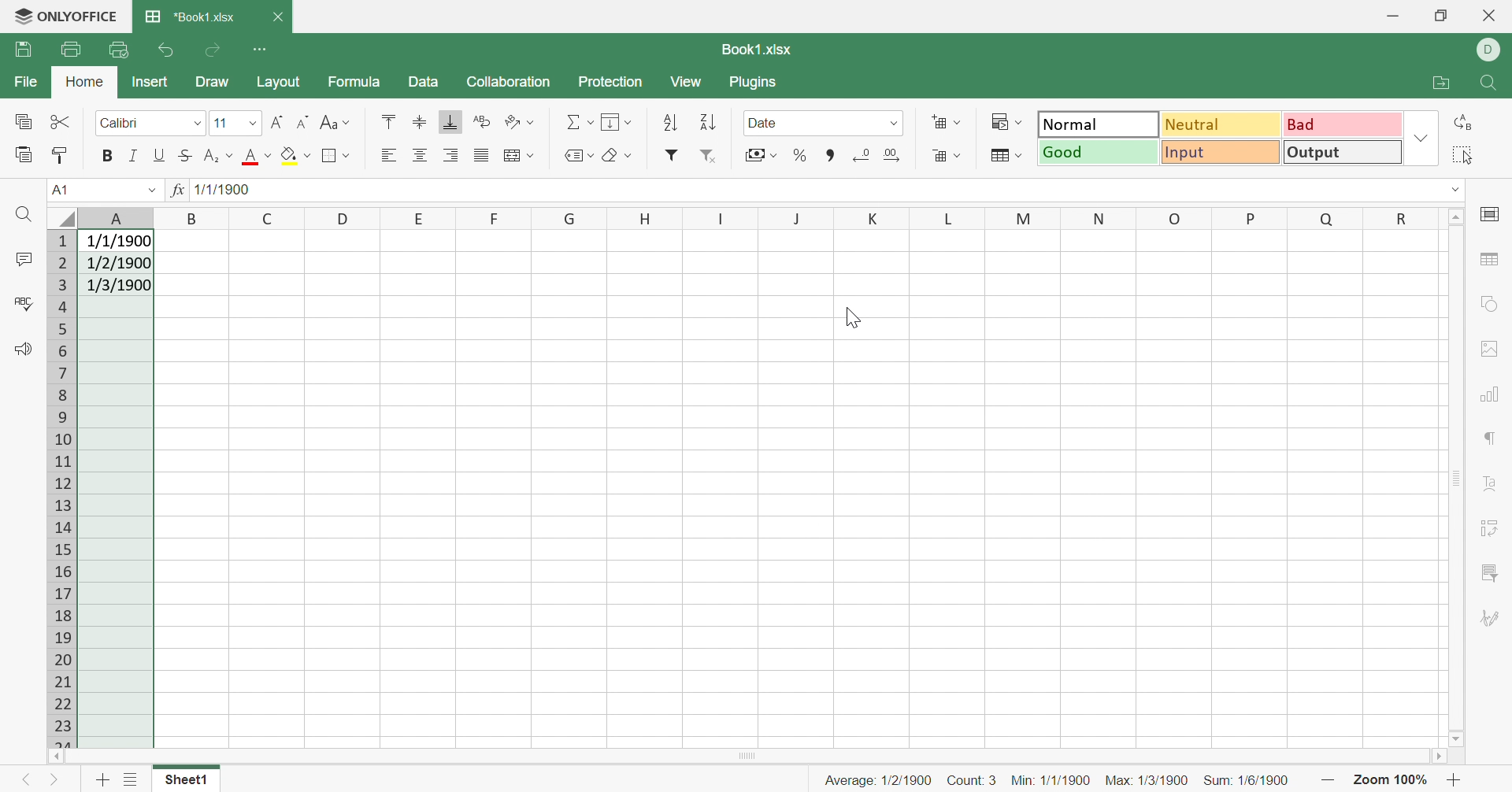 The width and height of the screenshot is (1512, 792). I want to click on File, so click(24, 82).